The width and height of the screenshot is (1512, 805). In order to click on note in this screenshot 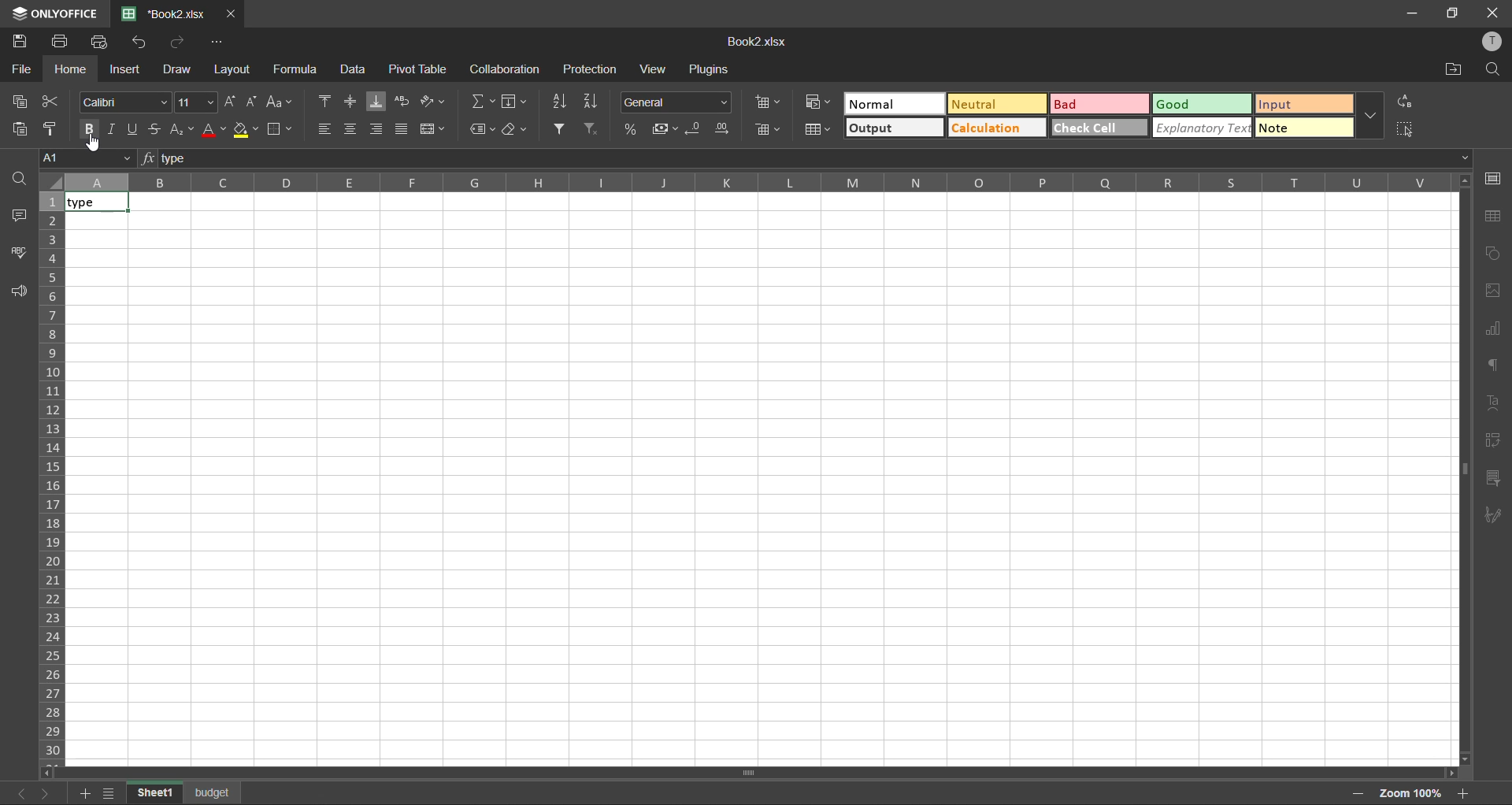, I will do `click(1303, 129)`.